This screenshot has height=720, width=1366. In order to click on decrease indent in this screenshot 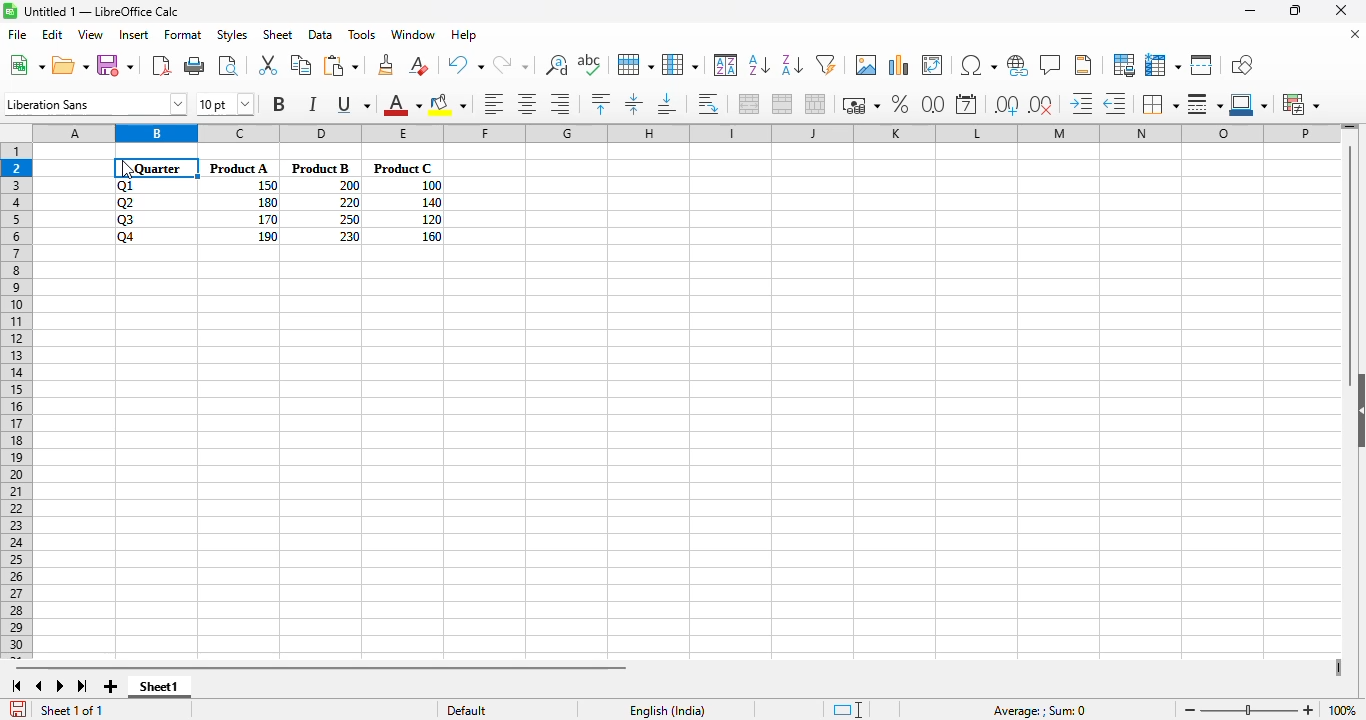, I will do `click(1117, 103)`.